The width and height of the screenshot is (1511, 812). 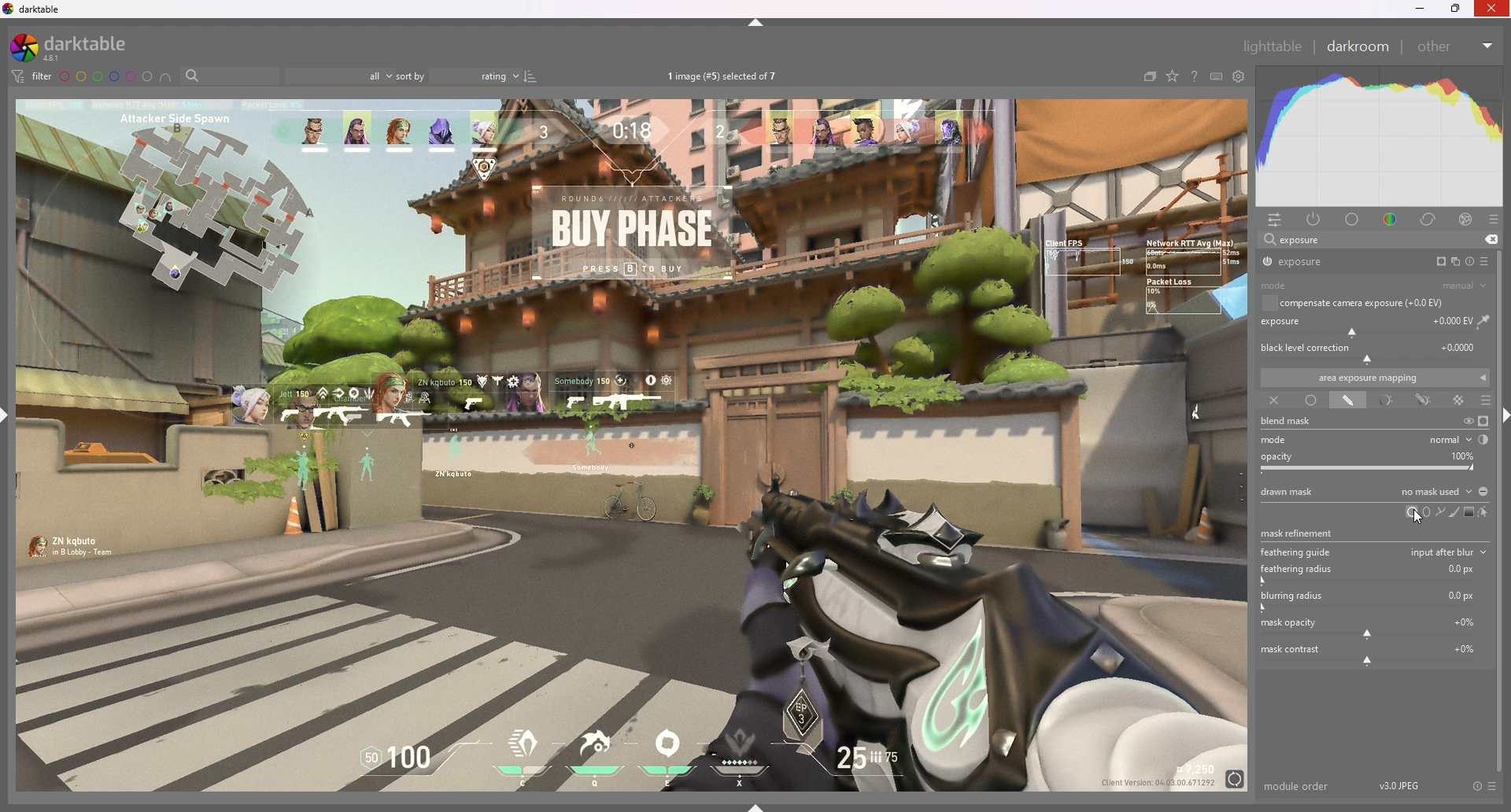 What do you see at coordinates (1386, 401) in the screenshot?
I see `parametric mask` at bounding box center [1386, 401].